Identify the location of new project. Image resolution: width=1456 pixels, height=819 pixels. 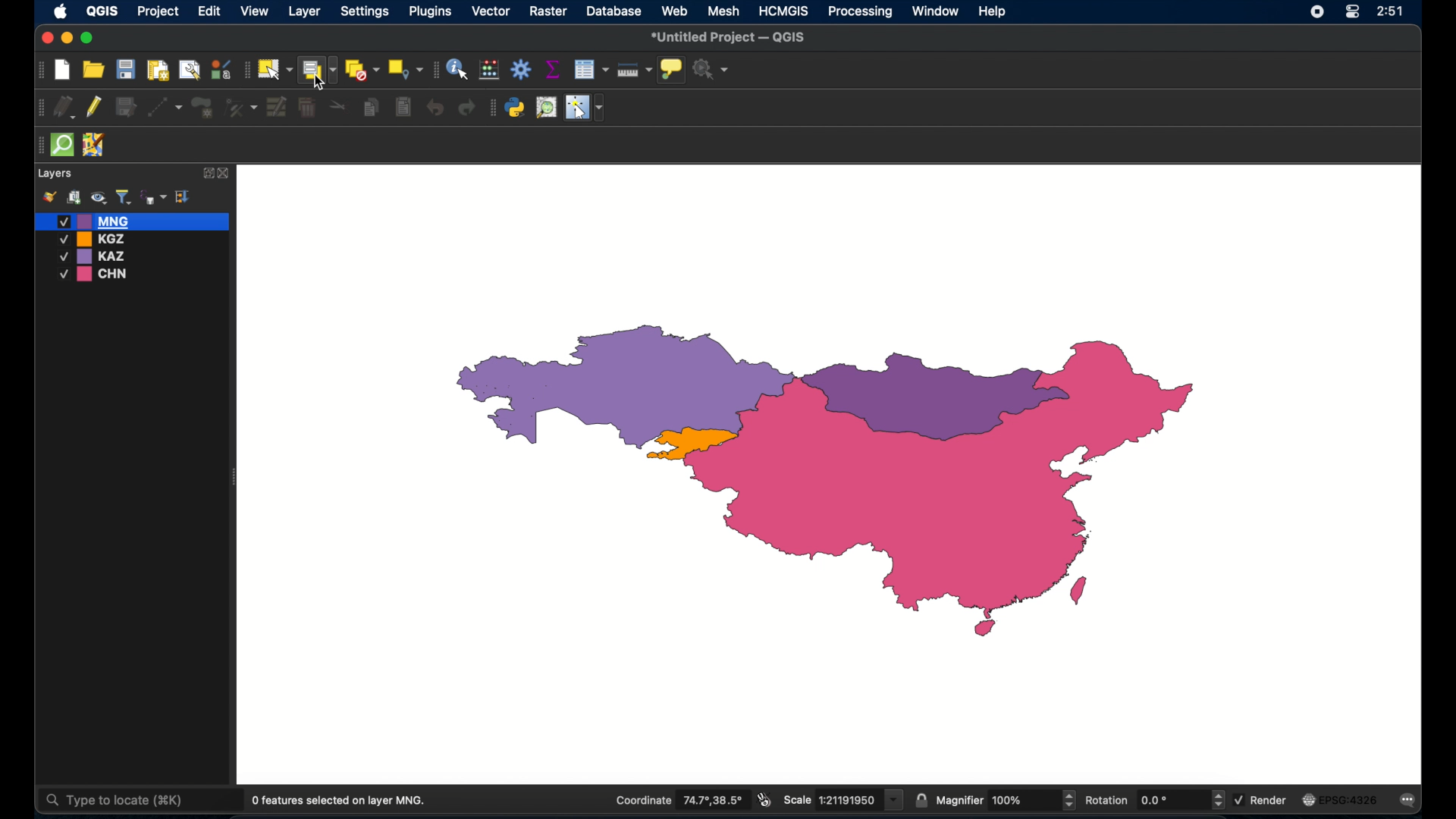
(63, 71).